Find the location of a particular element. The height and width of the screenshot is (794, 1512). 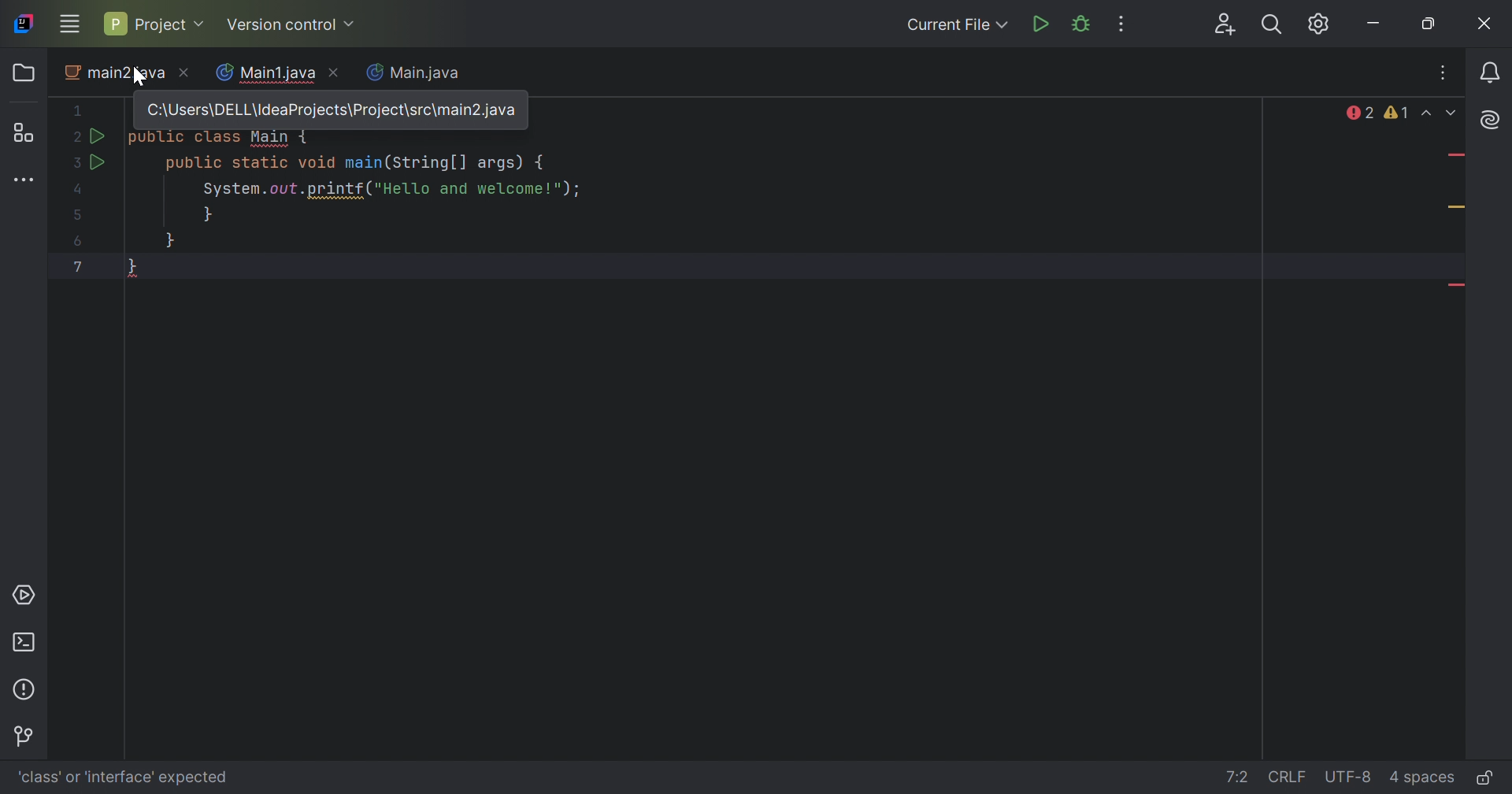

} is located at coordinates (209, 217).